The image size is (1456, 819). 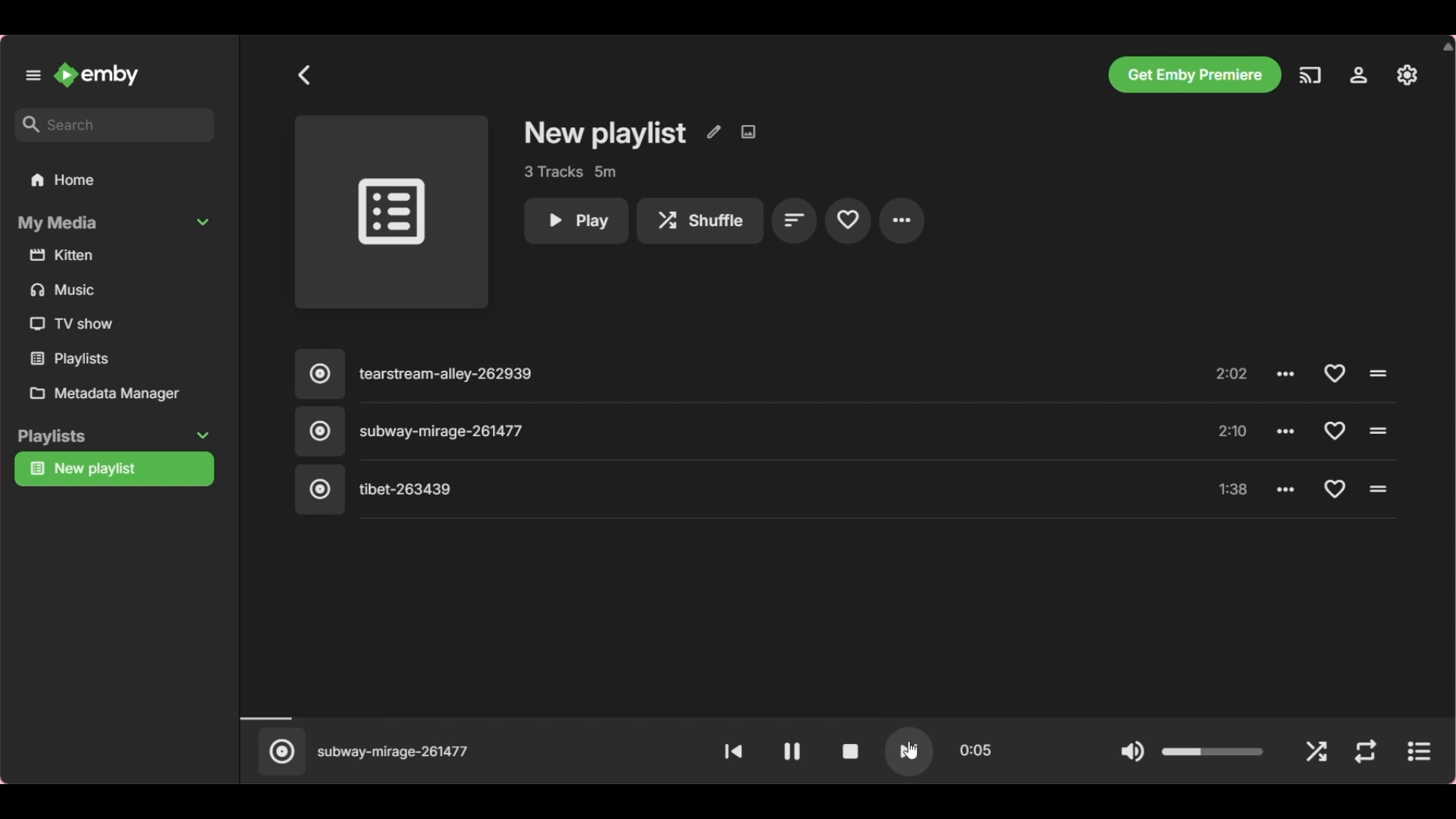 I want to click on scrollbar, so click(x=1447, y=410).